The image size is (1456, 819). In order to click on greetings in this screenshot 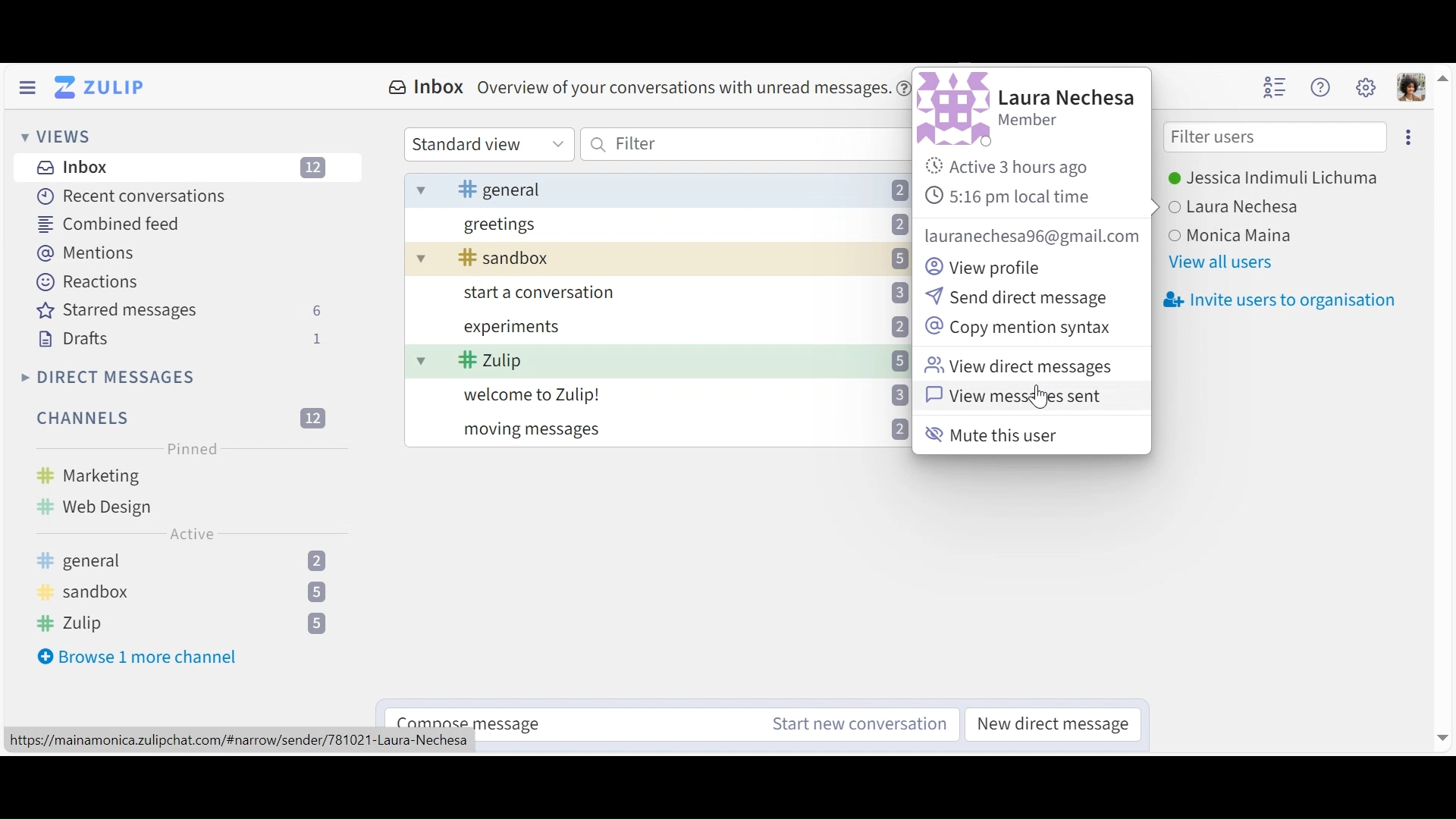, I will do `click(683, 223)`.